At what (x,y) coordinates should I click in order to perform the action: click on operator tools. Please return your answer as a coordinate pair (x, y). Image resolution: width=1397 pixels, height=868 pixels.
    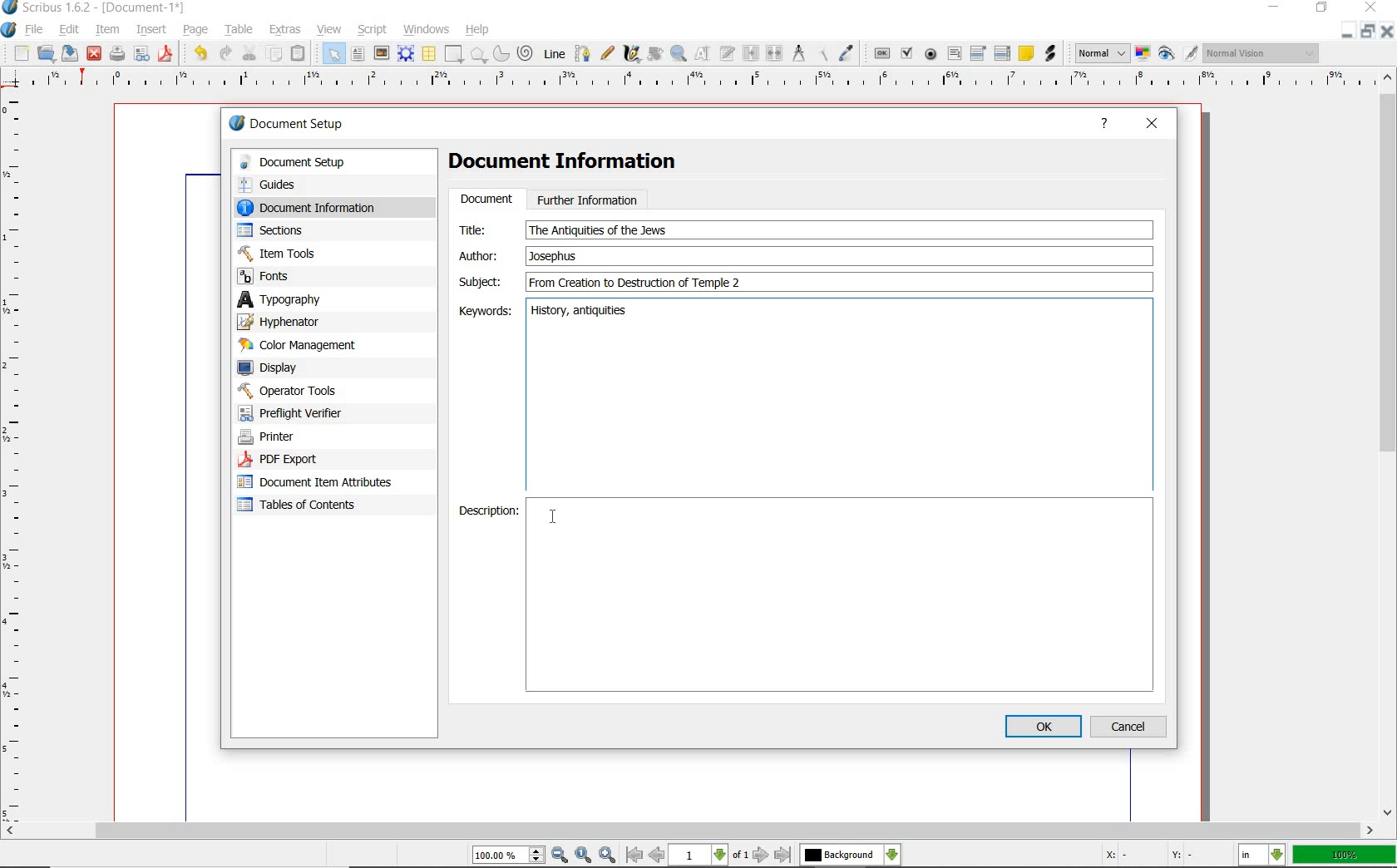
    Looking at the image, I should click on (310, 391).